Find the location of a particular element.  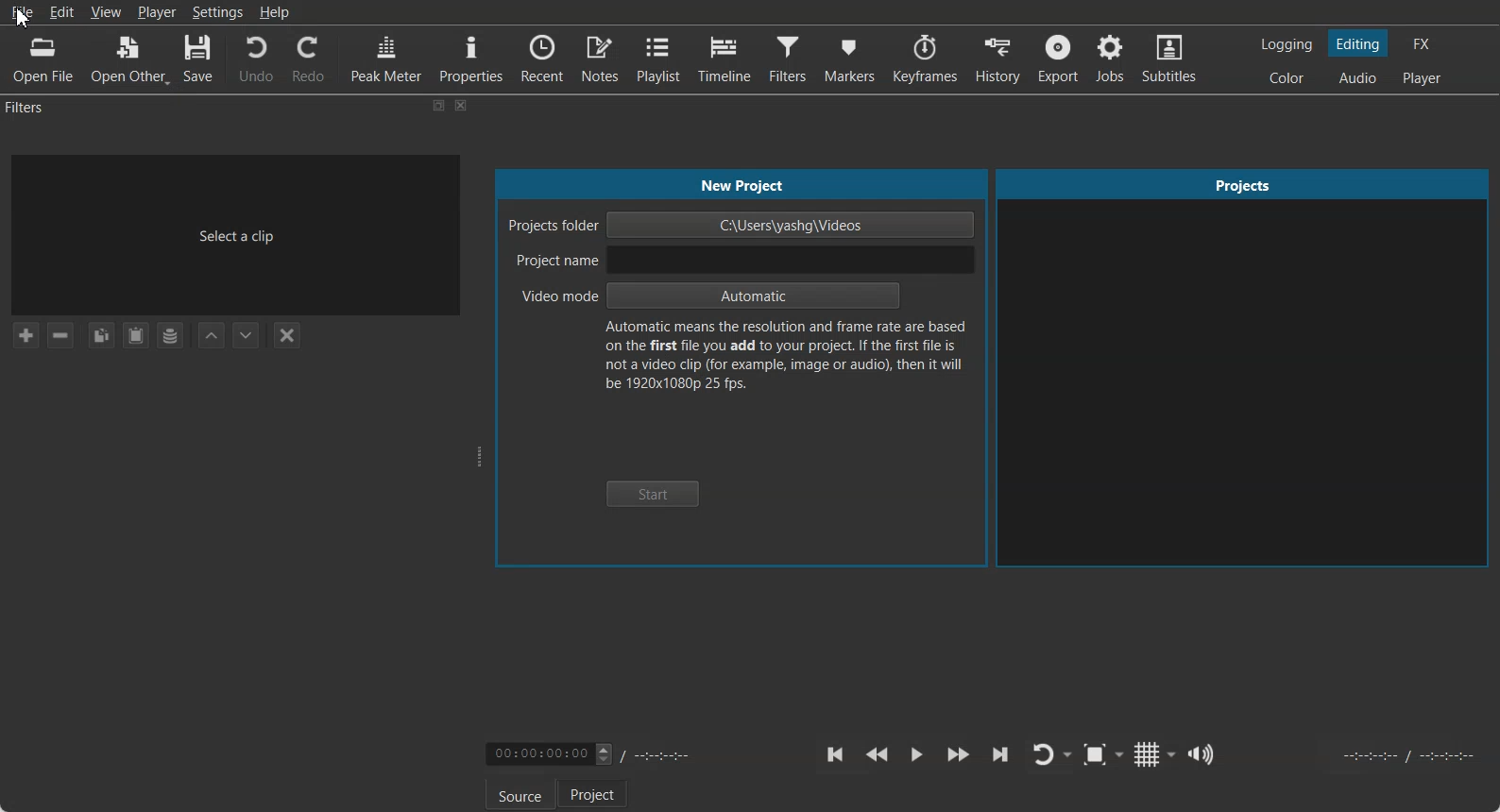

Subtitles is located at coordinates (1170, 59).